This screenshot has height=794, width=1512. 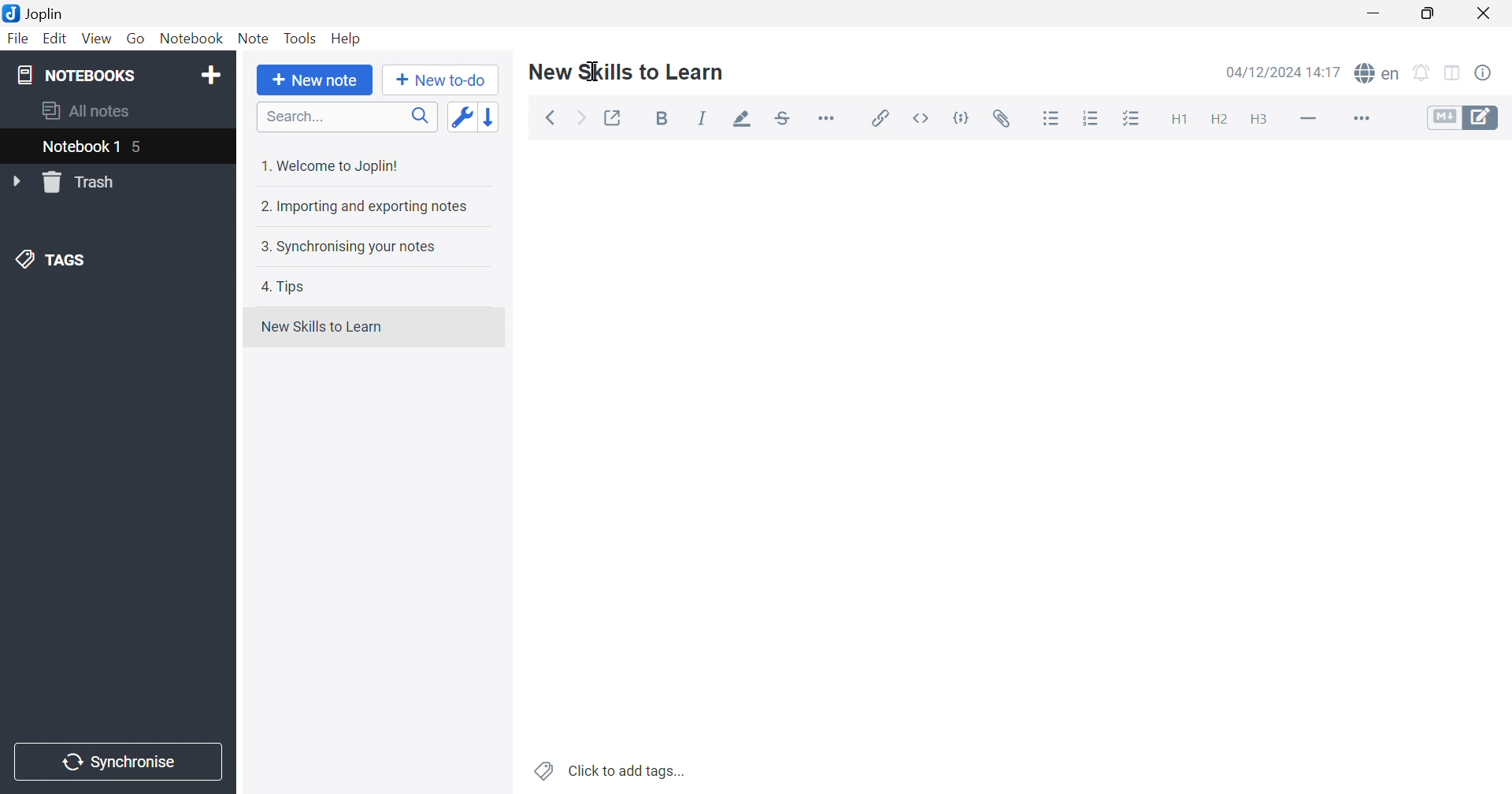 What do you see at coordinates (1463, 117) in the screenshot?
I see `Toggle editors` at bounding box center [1463, 117].